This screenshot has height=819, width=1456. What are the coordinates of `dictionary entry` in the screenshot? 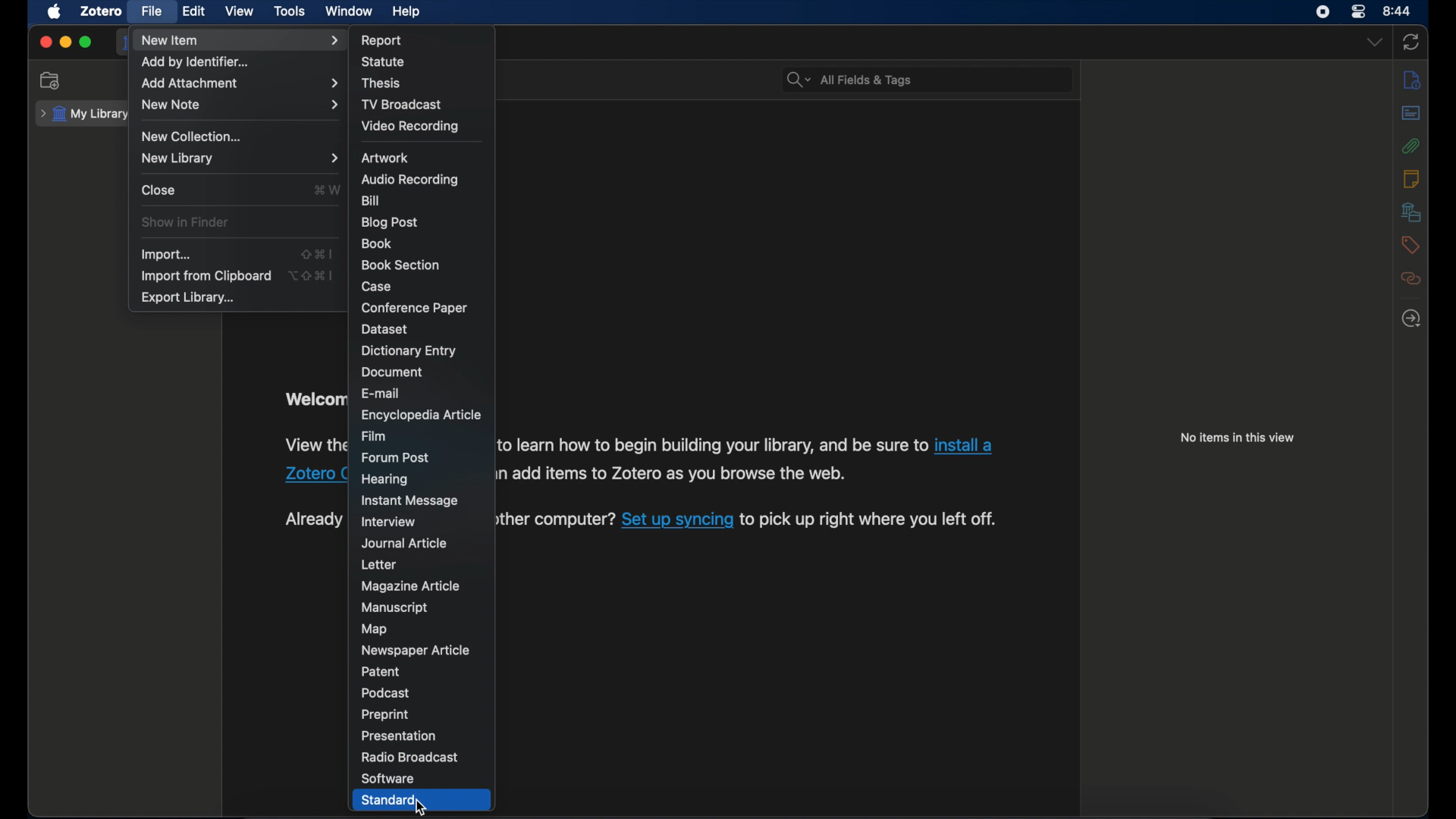 It's located at (409, 351).